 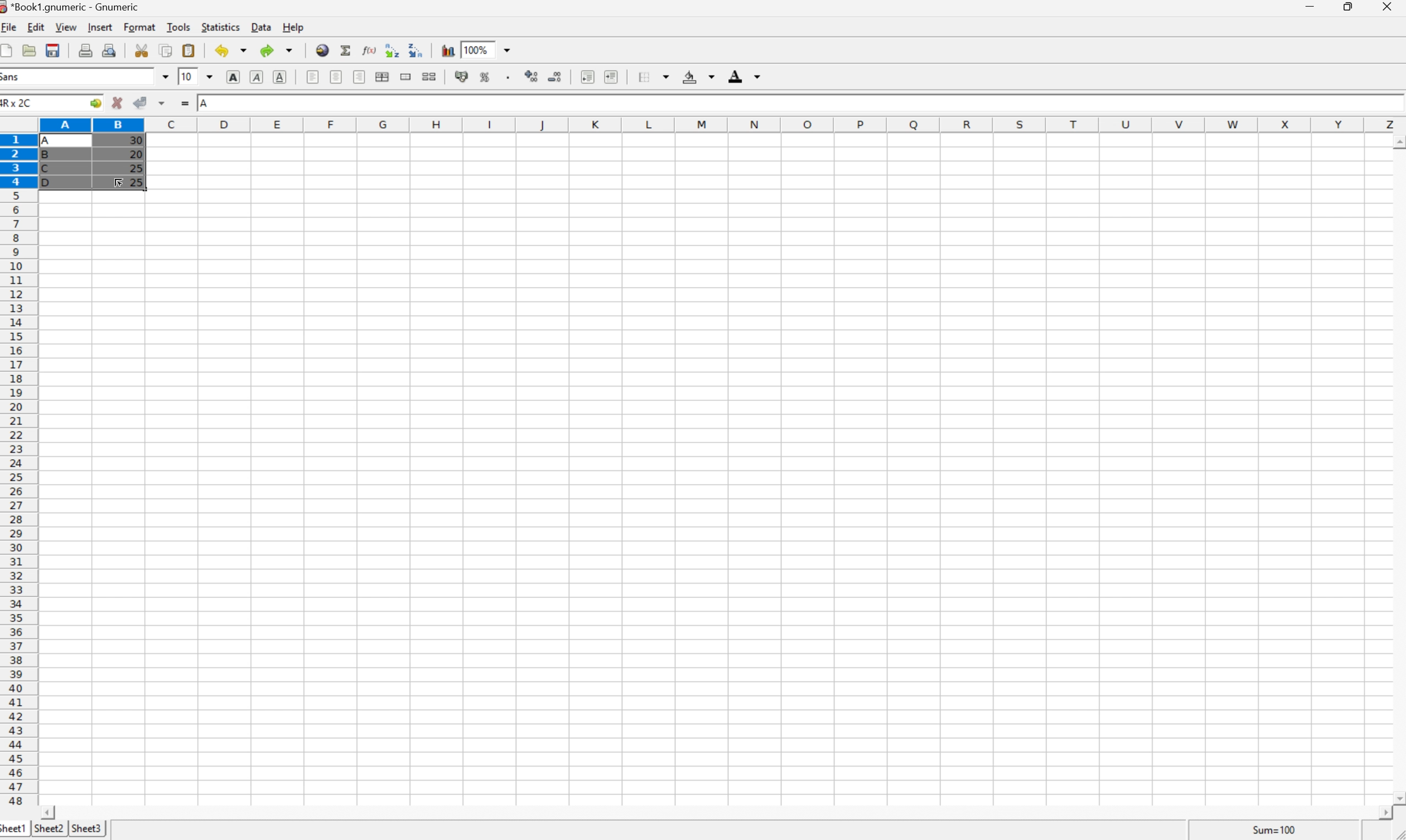 What do you see at coordinates (371, 49) in the screenshot?
I see `Edit function in current cell` at bounding box center [371, 49].